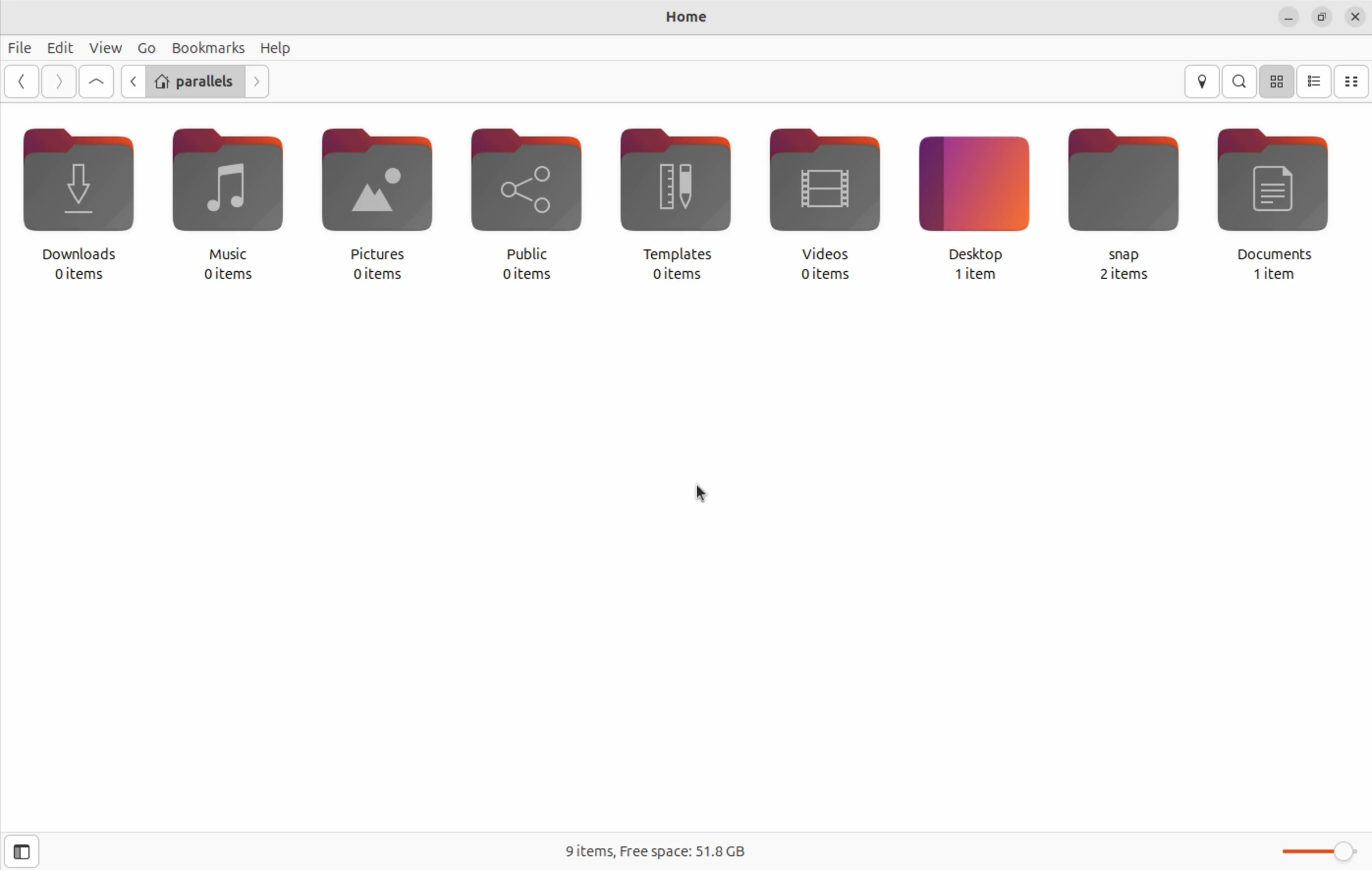  I want to click on desktop, so click(978, 193).